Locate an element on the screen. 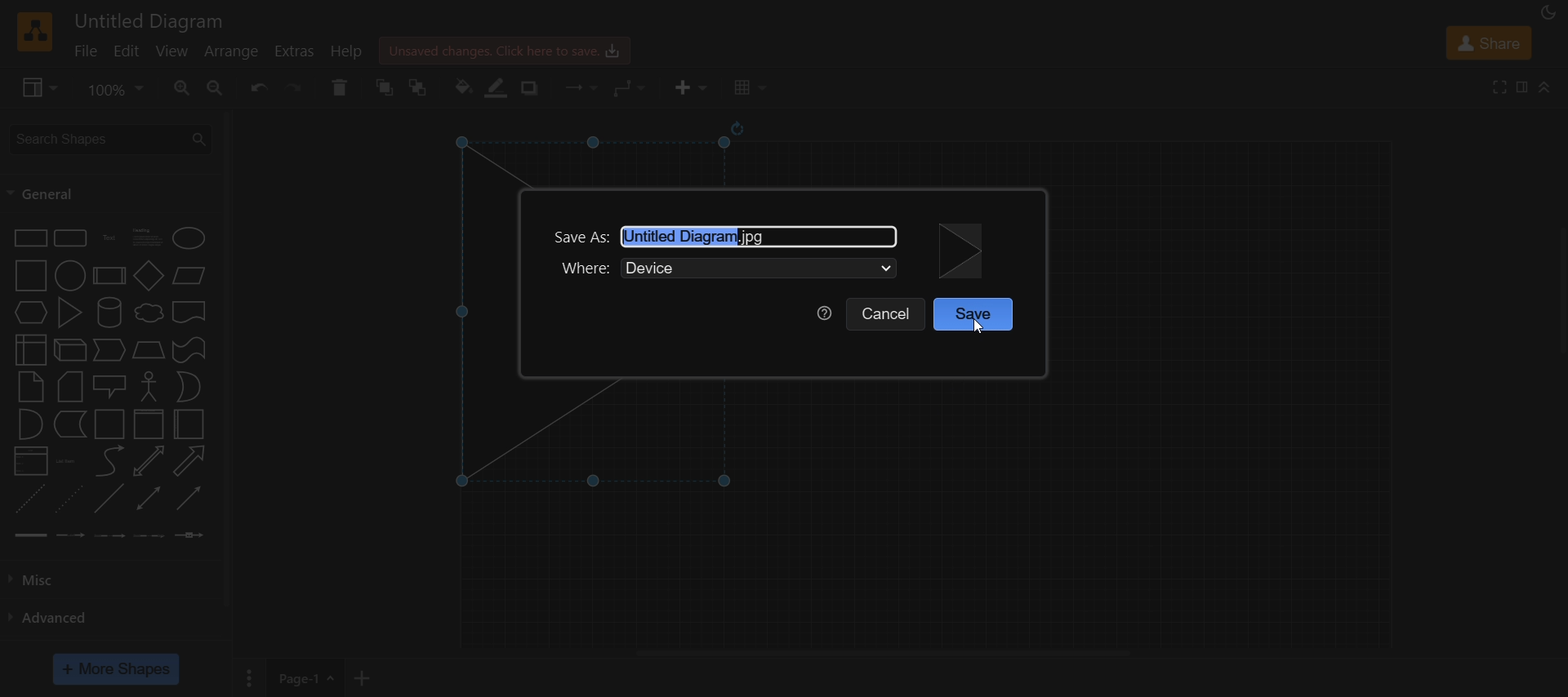  save as is located at coordinates (731, 232).